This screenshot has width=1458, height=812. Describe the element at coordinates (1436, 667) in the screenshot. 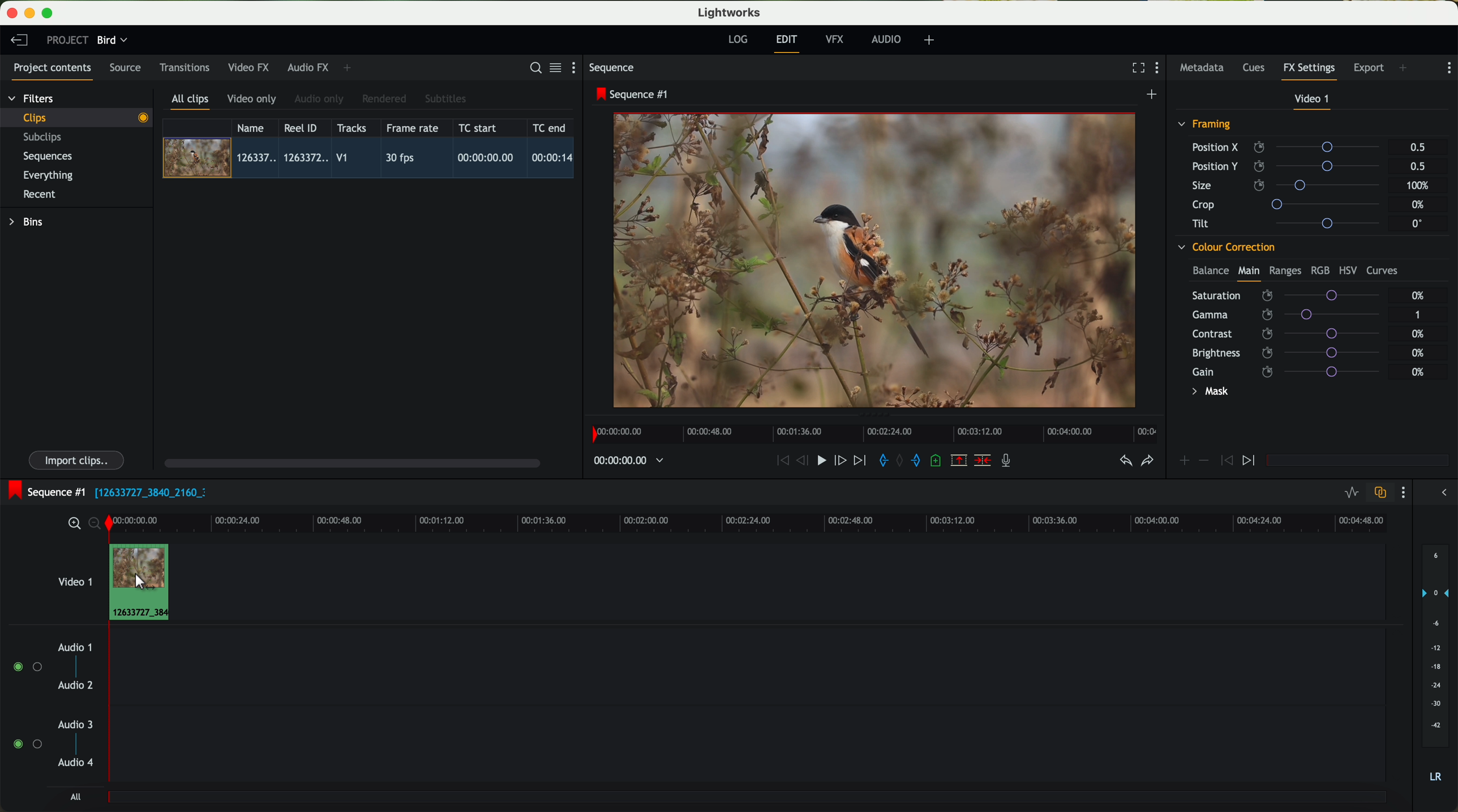

I see `audio output level (d/B)` at that location.